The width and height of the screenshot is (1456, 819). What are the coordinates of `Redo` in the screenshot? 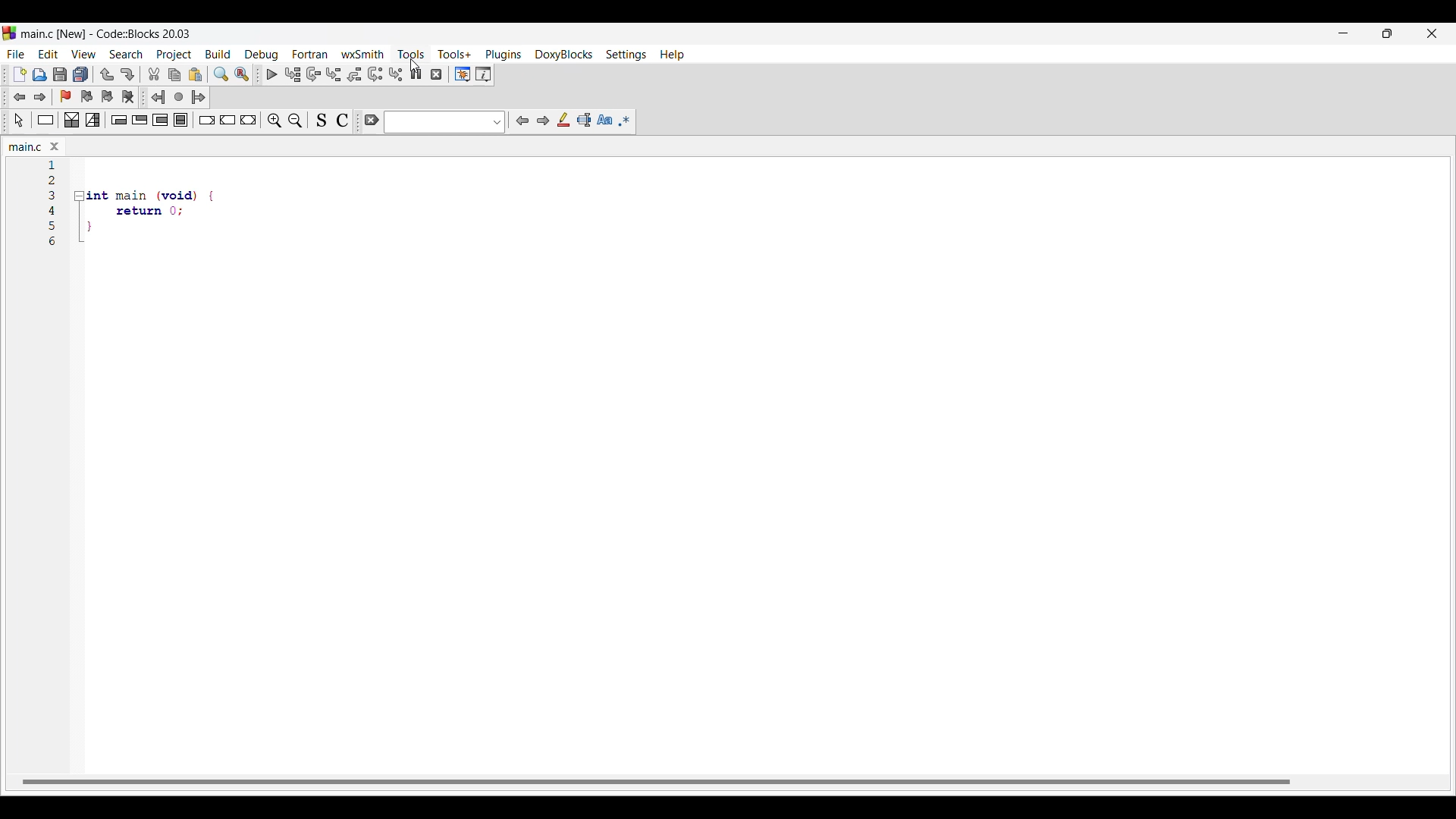 It's located at (127, 74).